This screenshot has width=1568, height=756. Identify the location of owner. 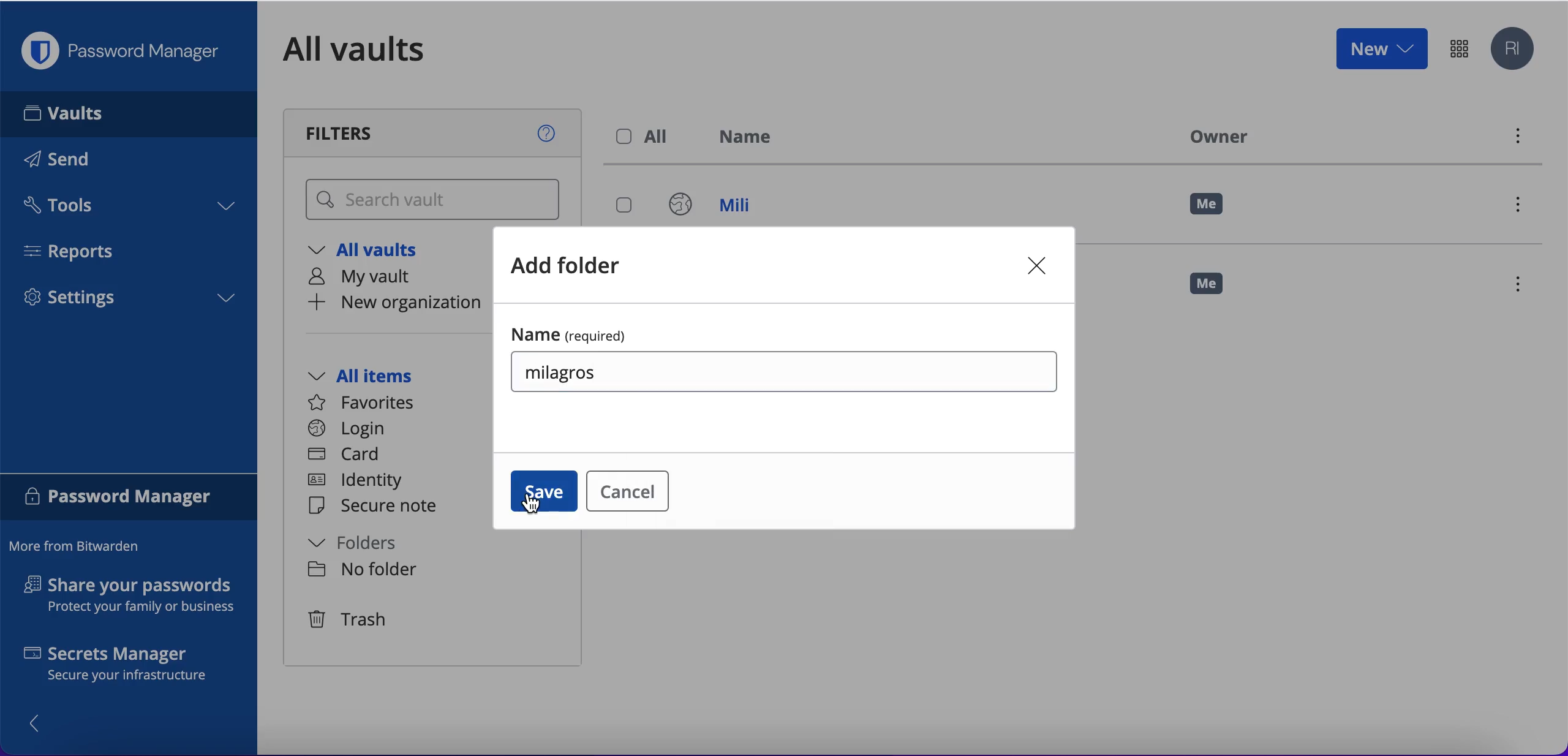
(1215, 136).